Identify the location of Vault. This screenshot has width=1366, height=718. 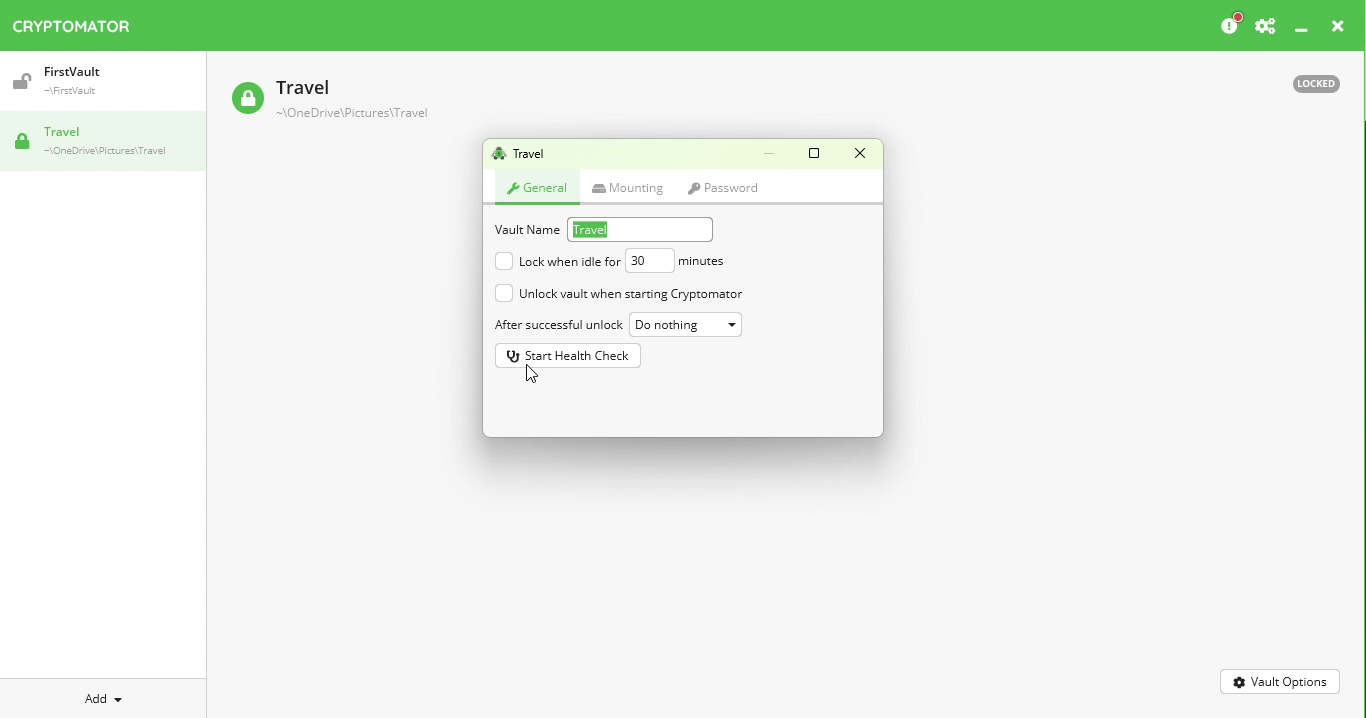
(93, 141).